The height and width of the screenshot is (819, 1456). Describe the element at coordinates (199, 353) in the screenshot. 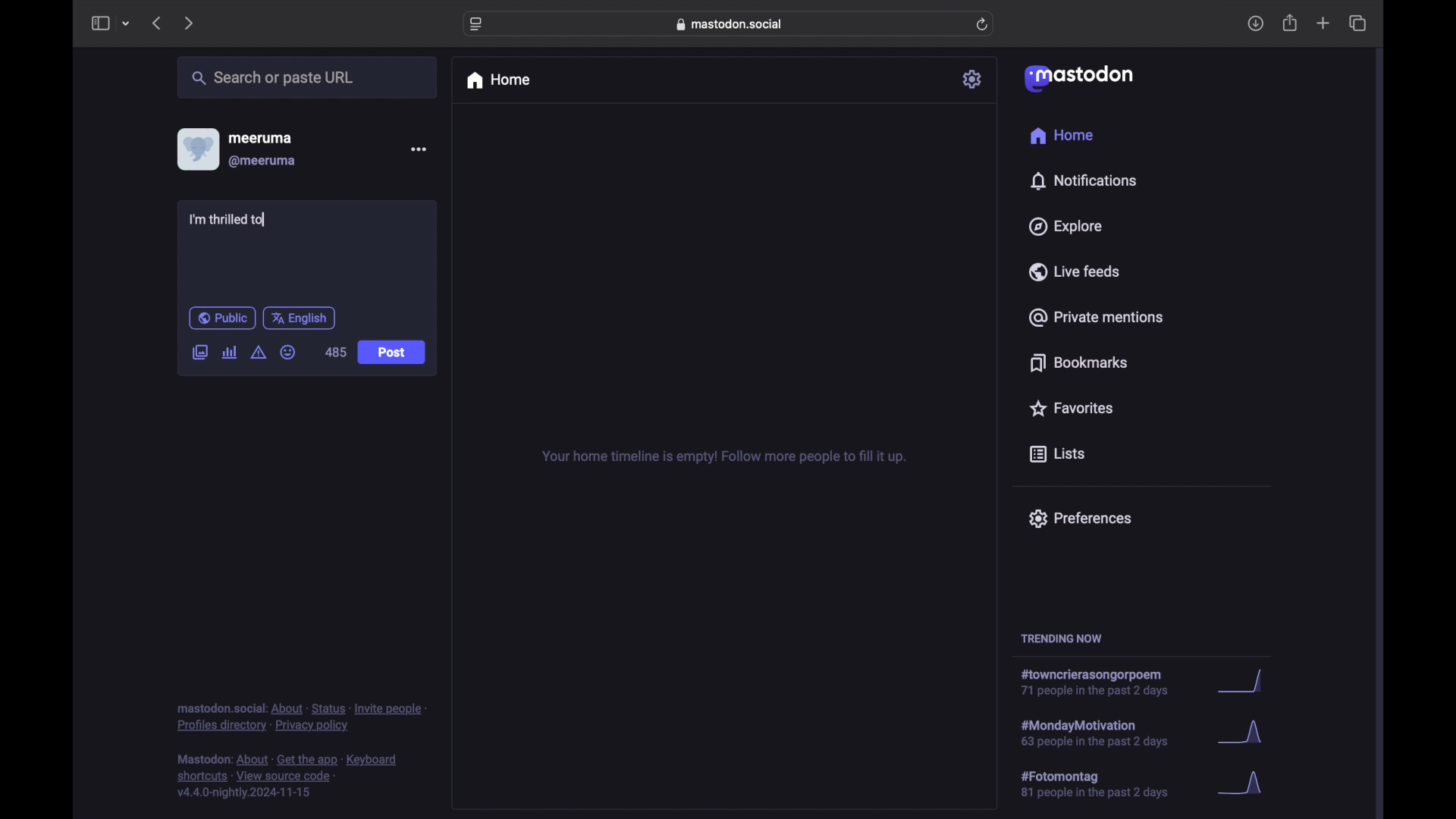

I see `add image` at that location.